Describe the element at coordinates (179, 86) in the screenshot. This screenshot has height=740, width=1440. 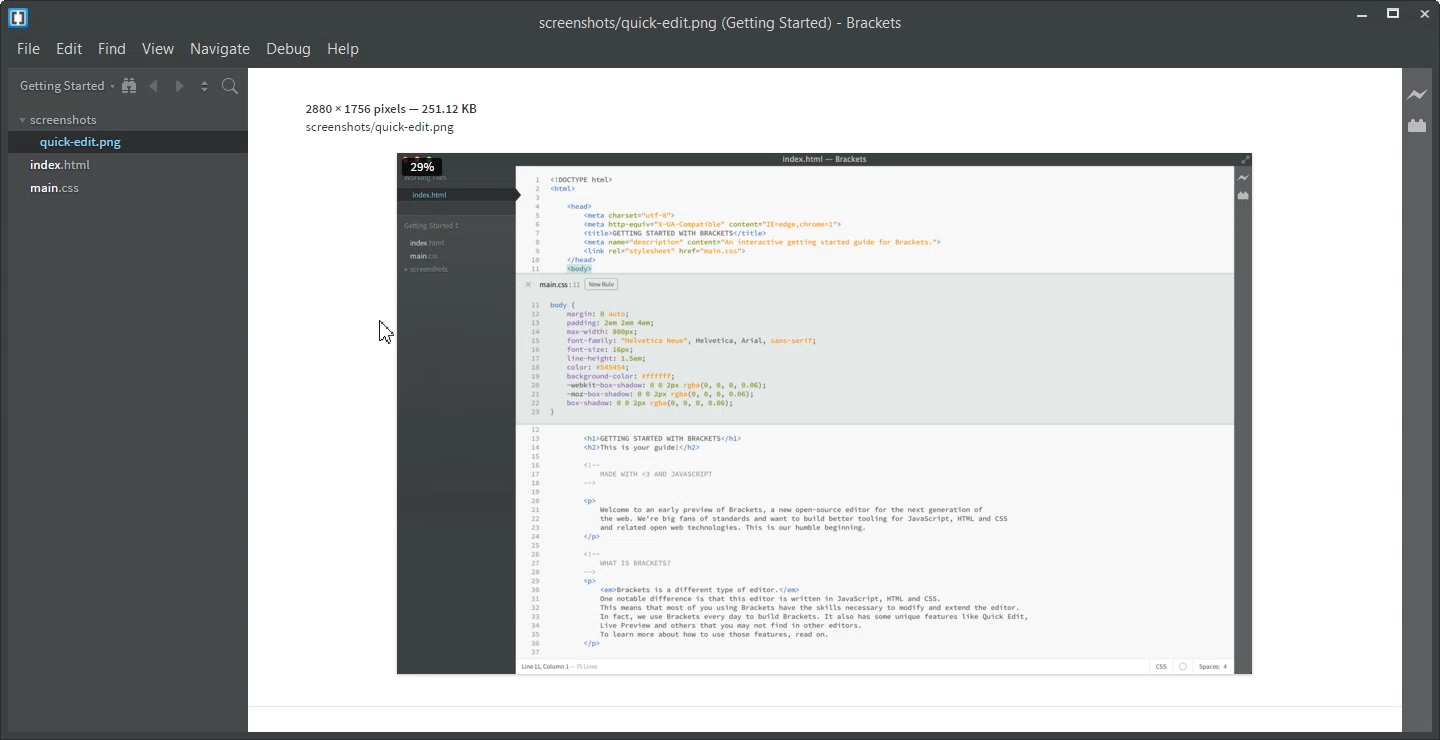
I see `Navigate Forward` at that location.